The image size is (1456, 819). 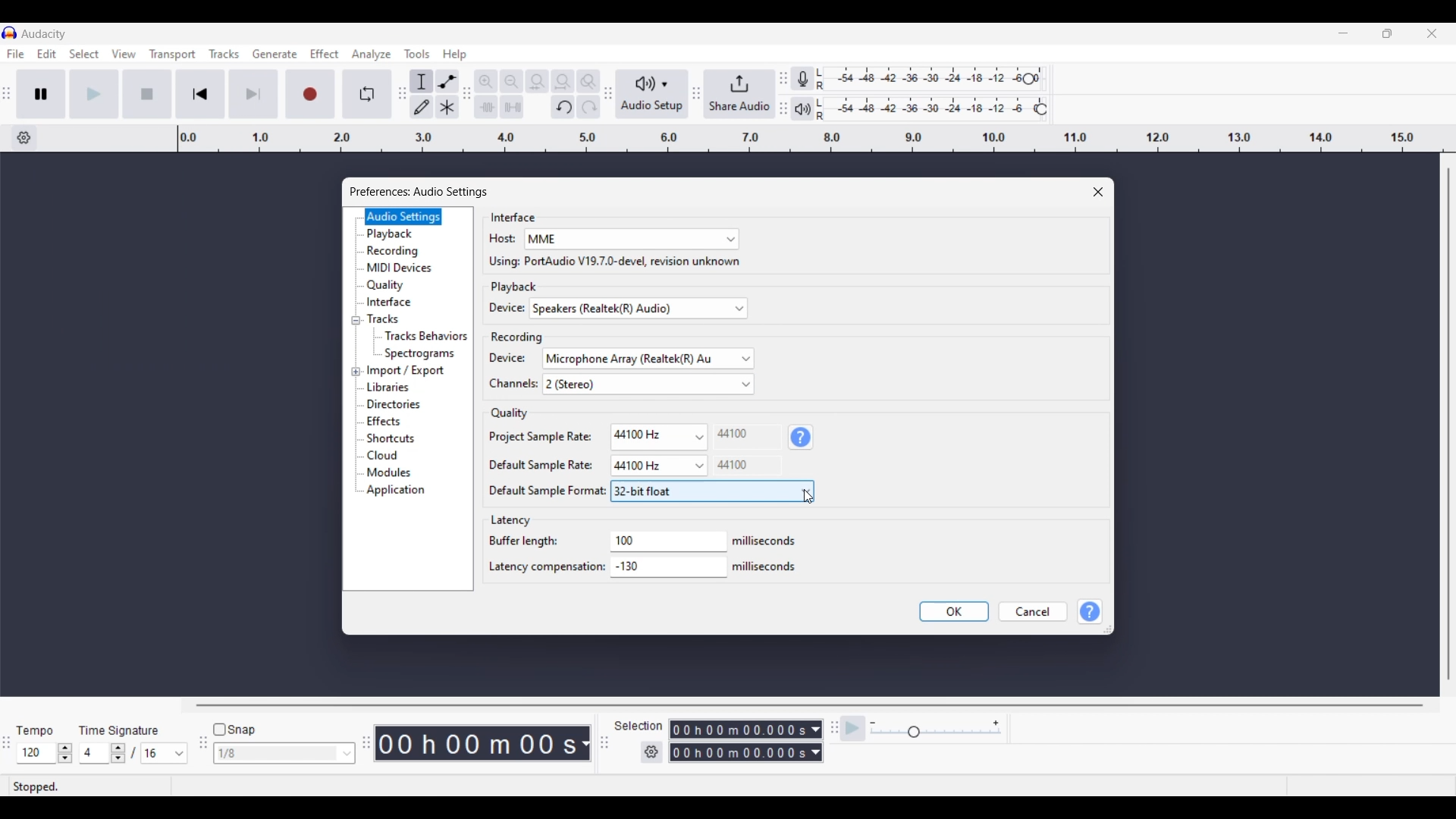 I want to click on Collapse, so click(x=356, y=321).